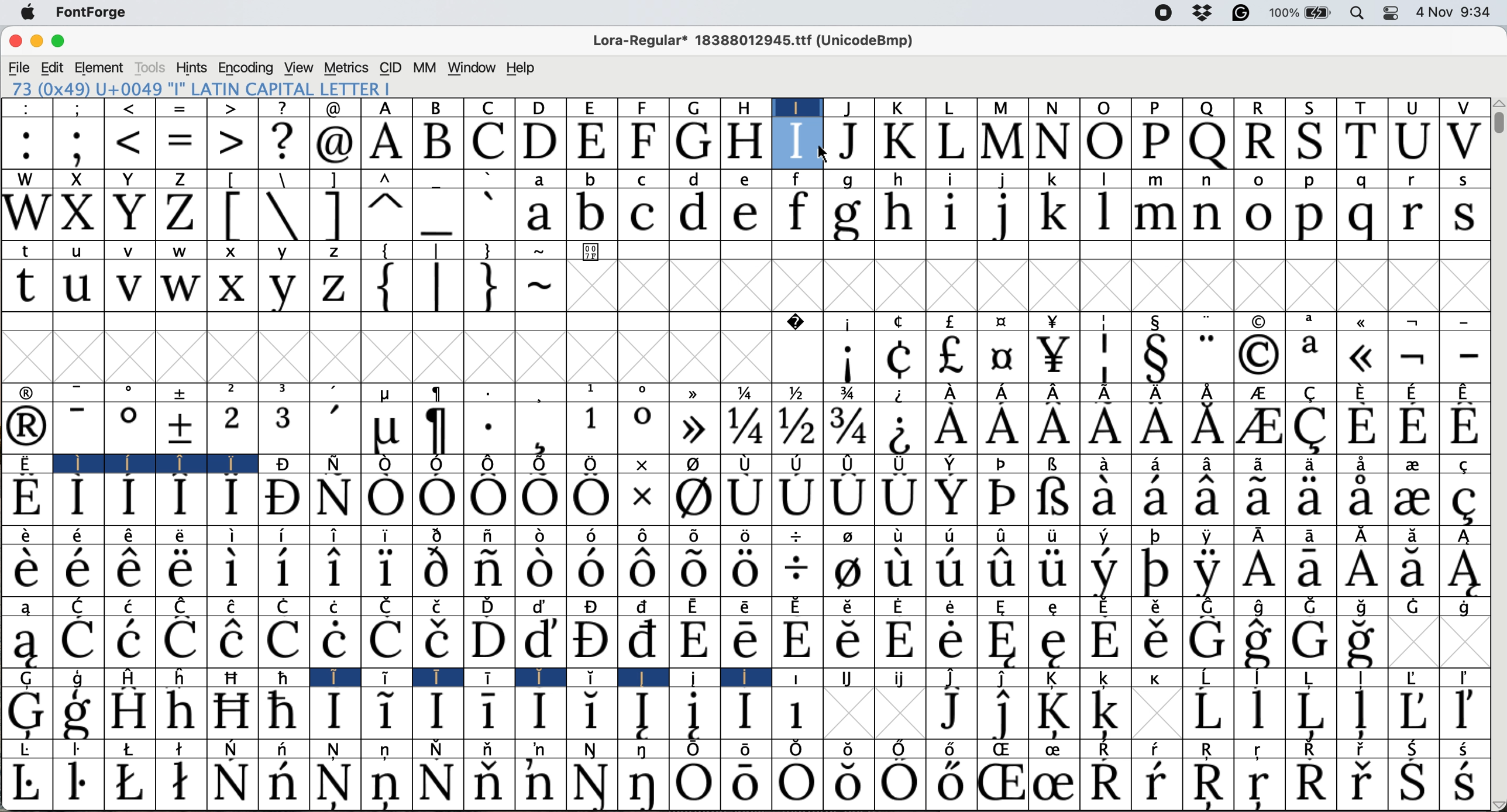 The image size is (1507, 812). I want to click on Symbol, so click(1259, 465).